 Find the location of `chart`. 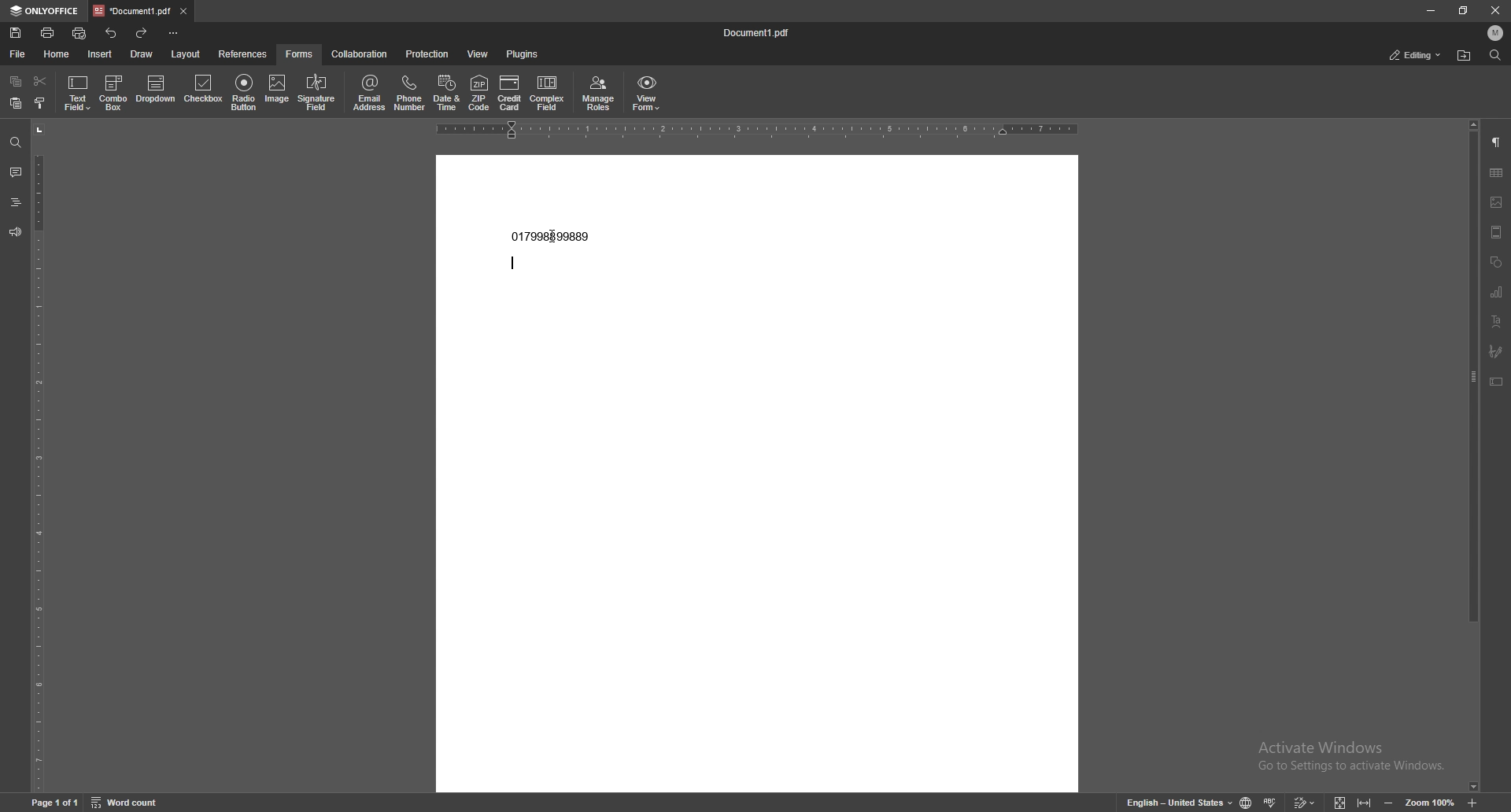

chart is located at coordinates (1497, 291).